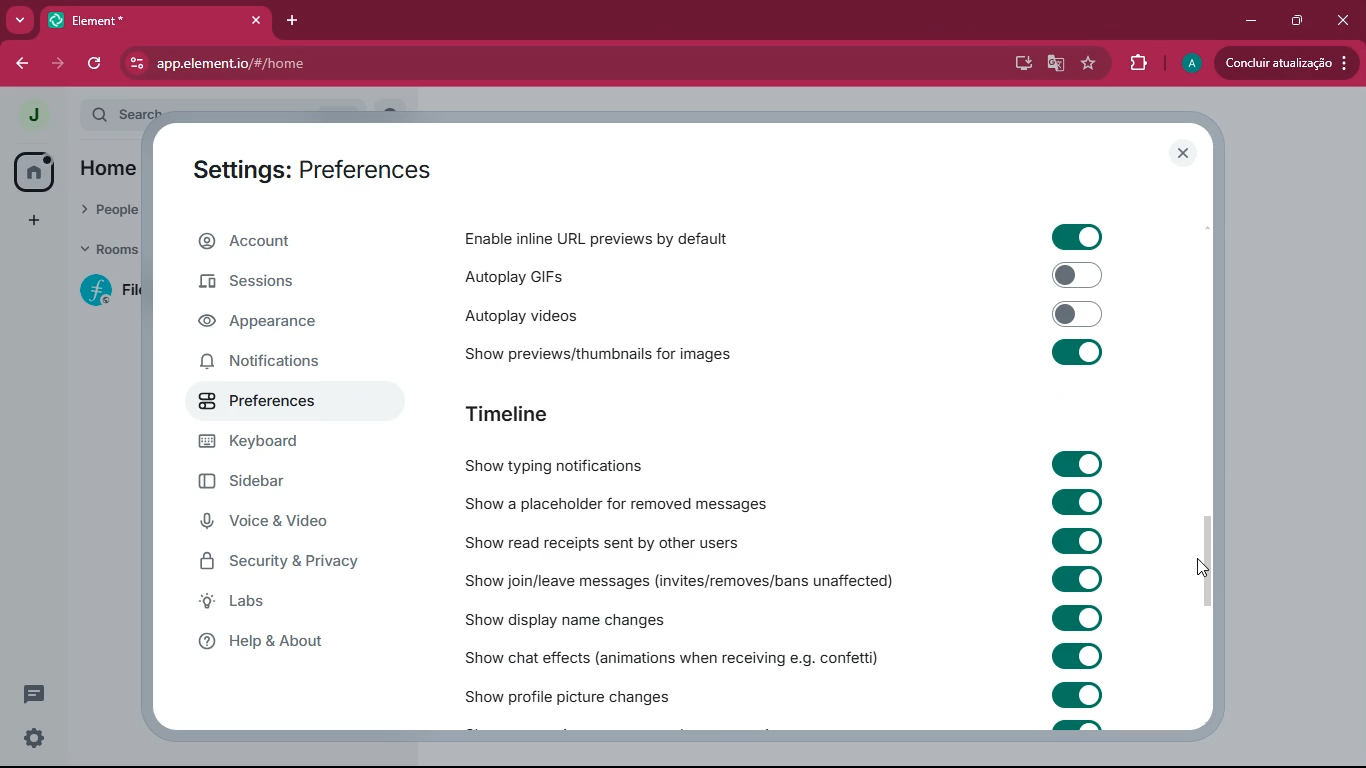 The image size is (1366, 768). Describe the element at coordinates (681, 580) in the screenshot. I see `show join/leave messages (invites/removes/bans unaffected)` at that location.